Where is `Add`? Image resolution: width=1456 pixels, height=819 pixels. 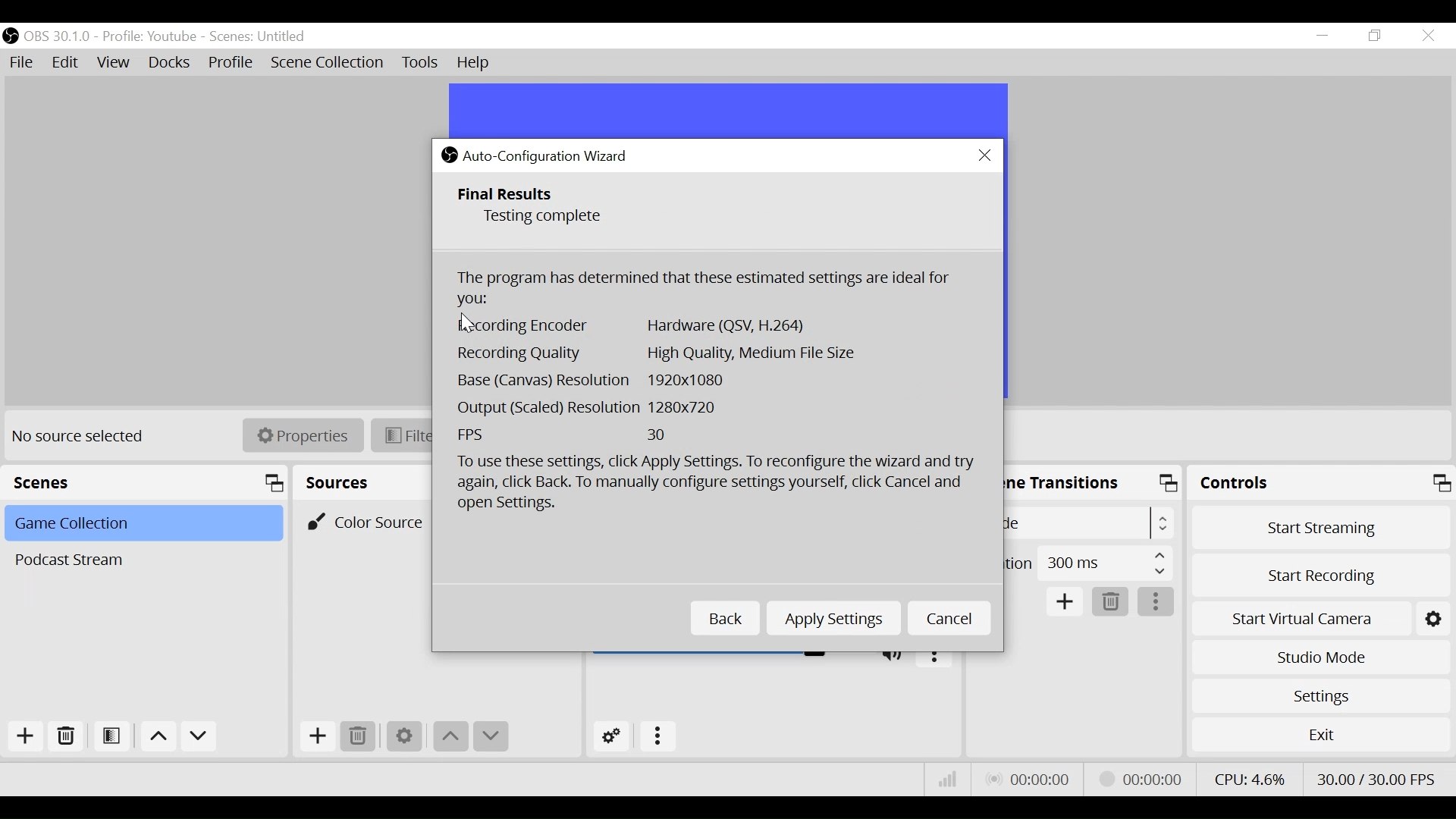
Add is located at coordinates (1065, 602).